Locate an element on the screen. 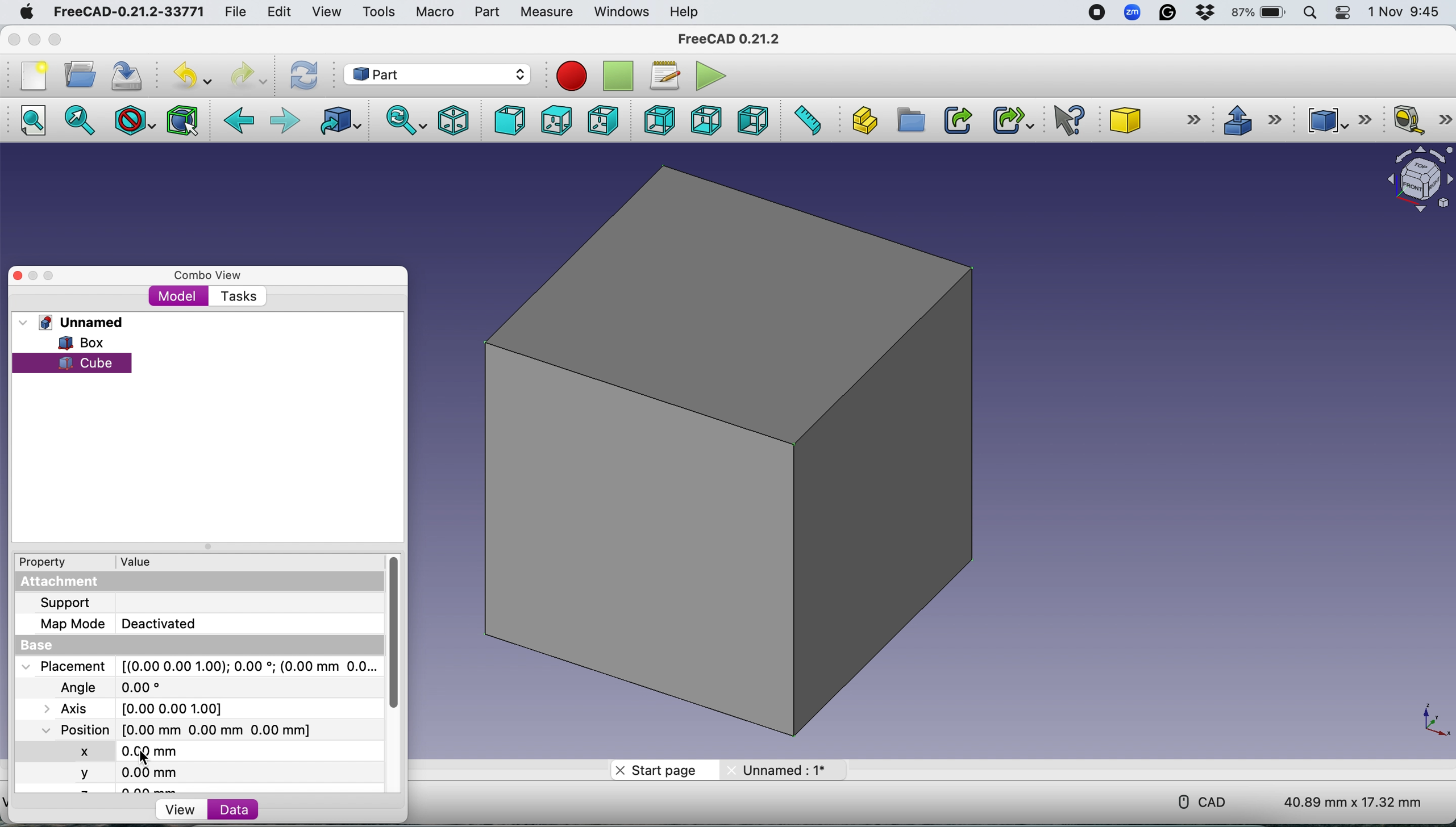  Dropbox is located at coordinates (1206, 14).